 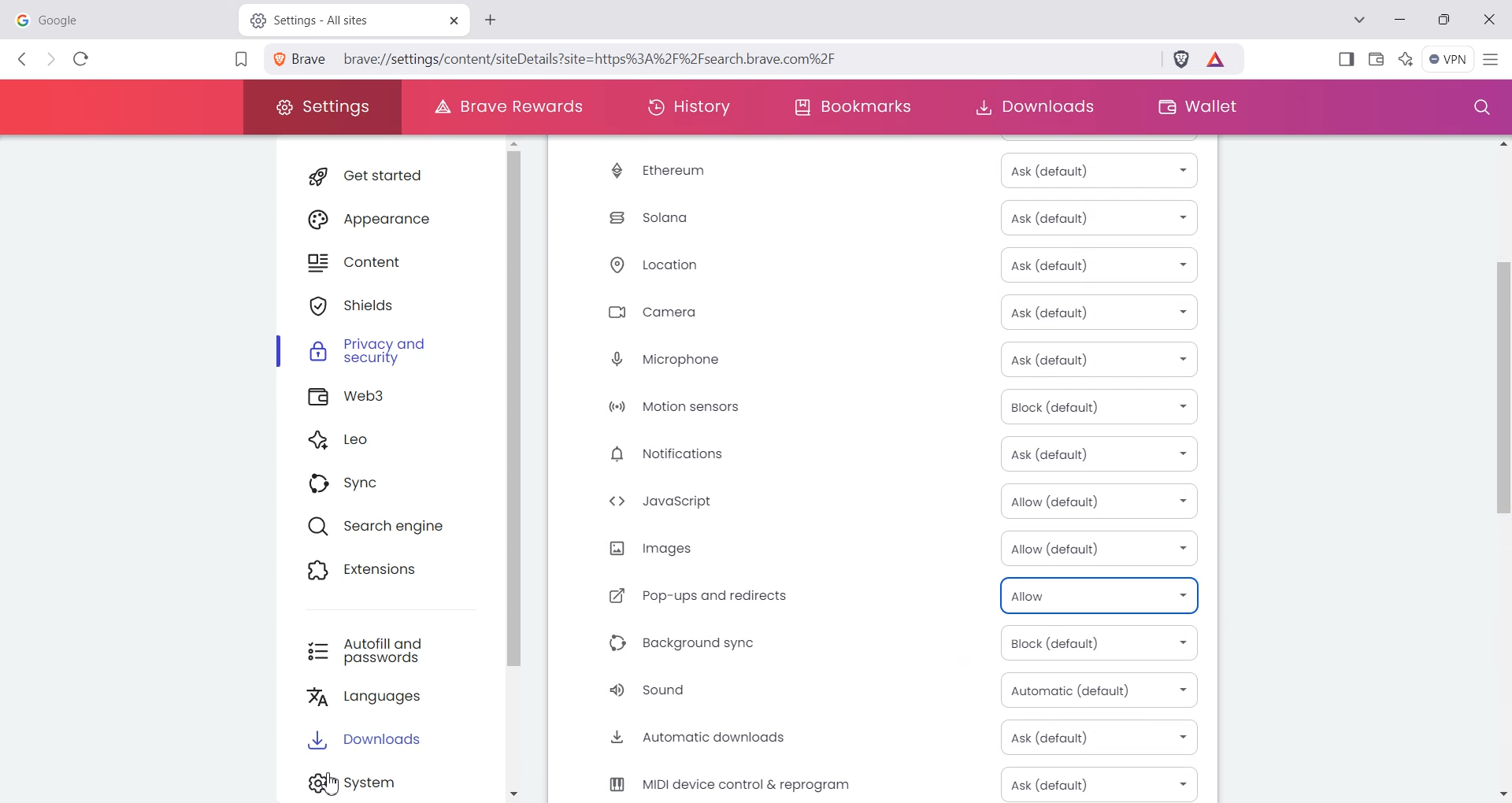 I want to click on google, so click(x=118, y=18).